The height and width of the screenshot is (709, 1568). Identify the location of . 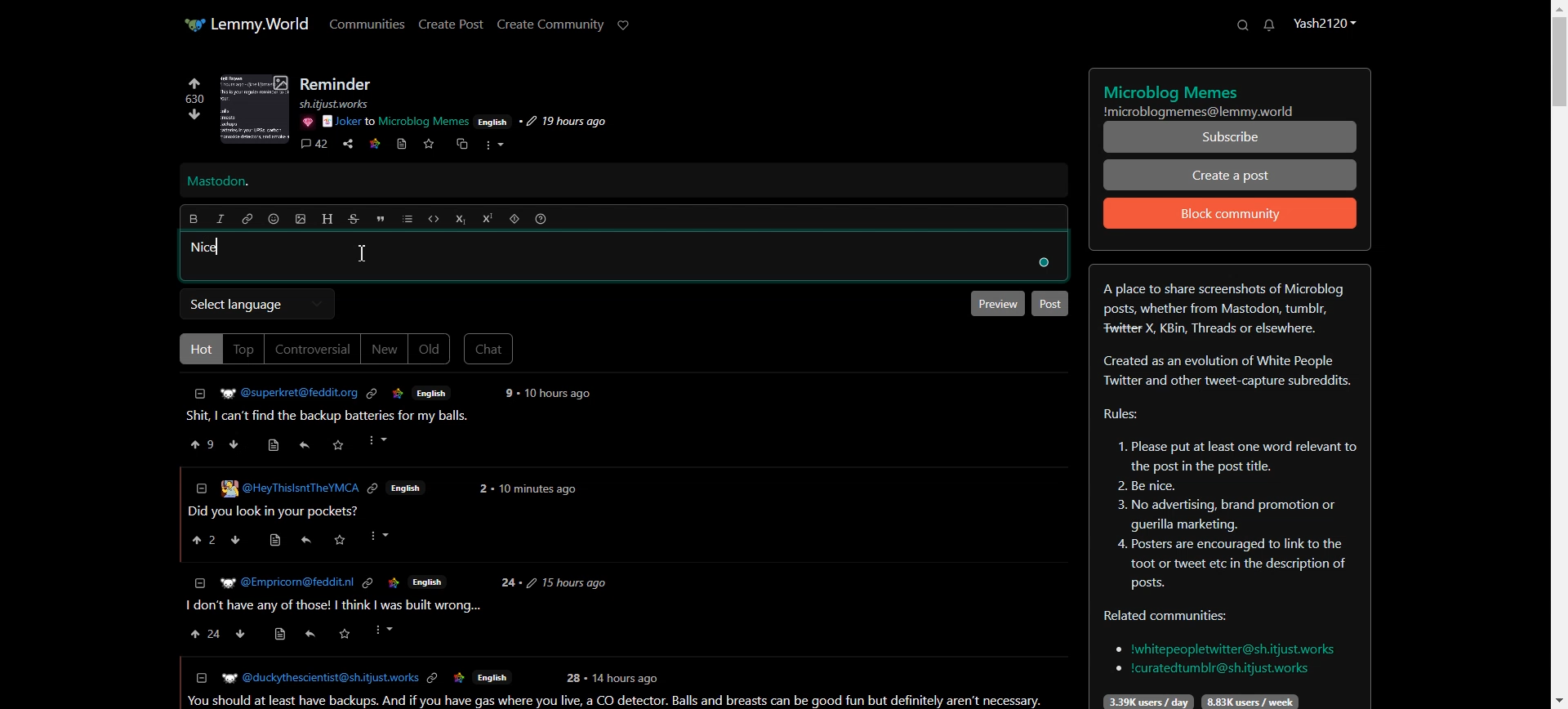
(393, 582).